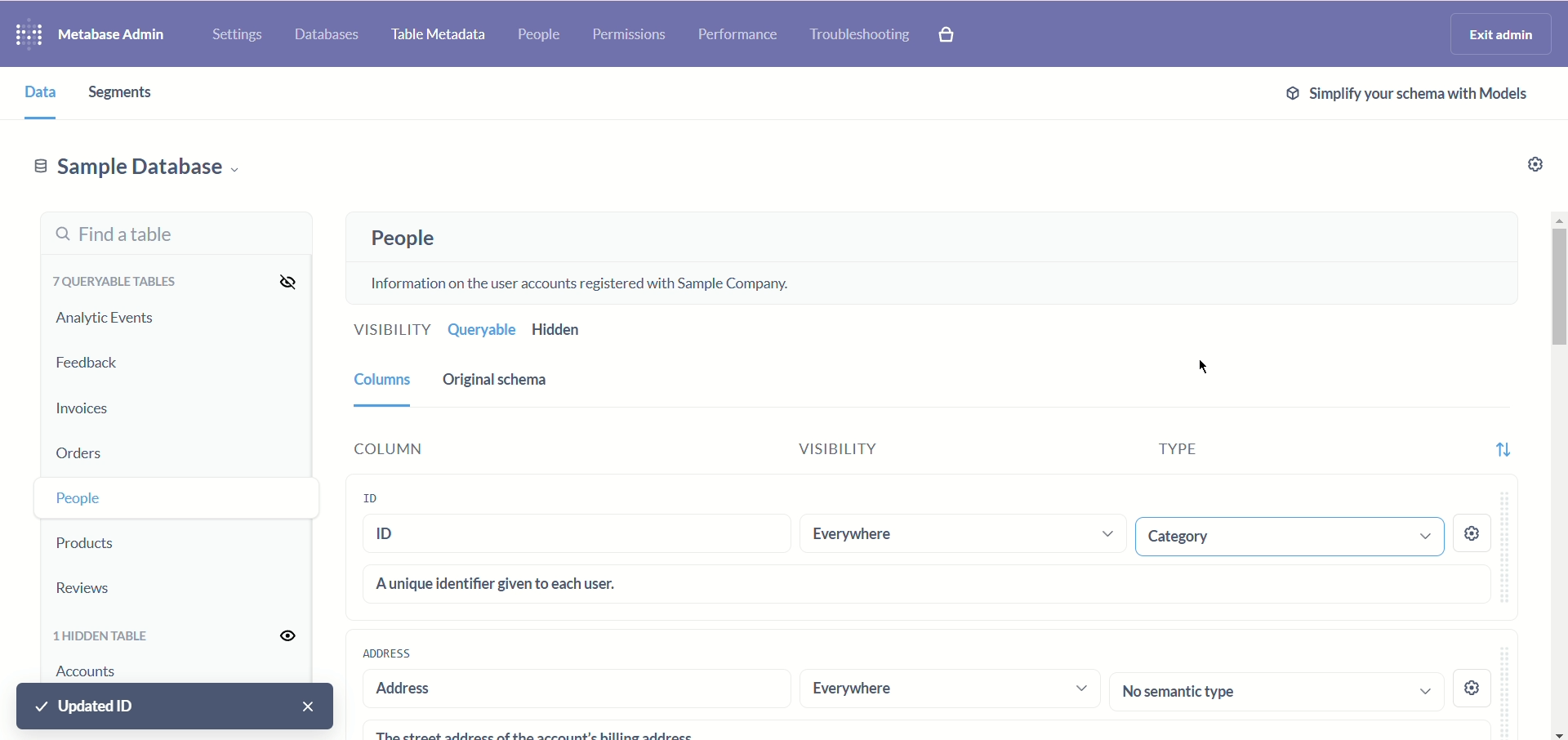 This screenshot has height=740, width=1568. Describe the element at coordinates (630, 37) in the screenshot. I see `Permissions` at that location.